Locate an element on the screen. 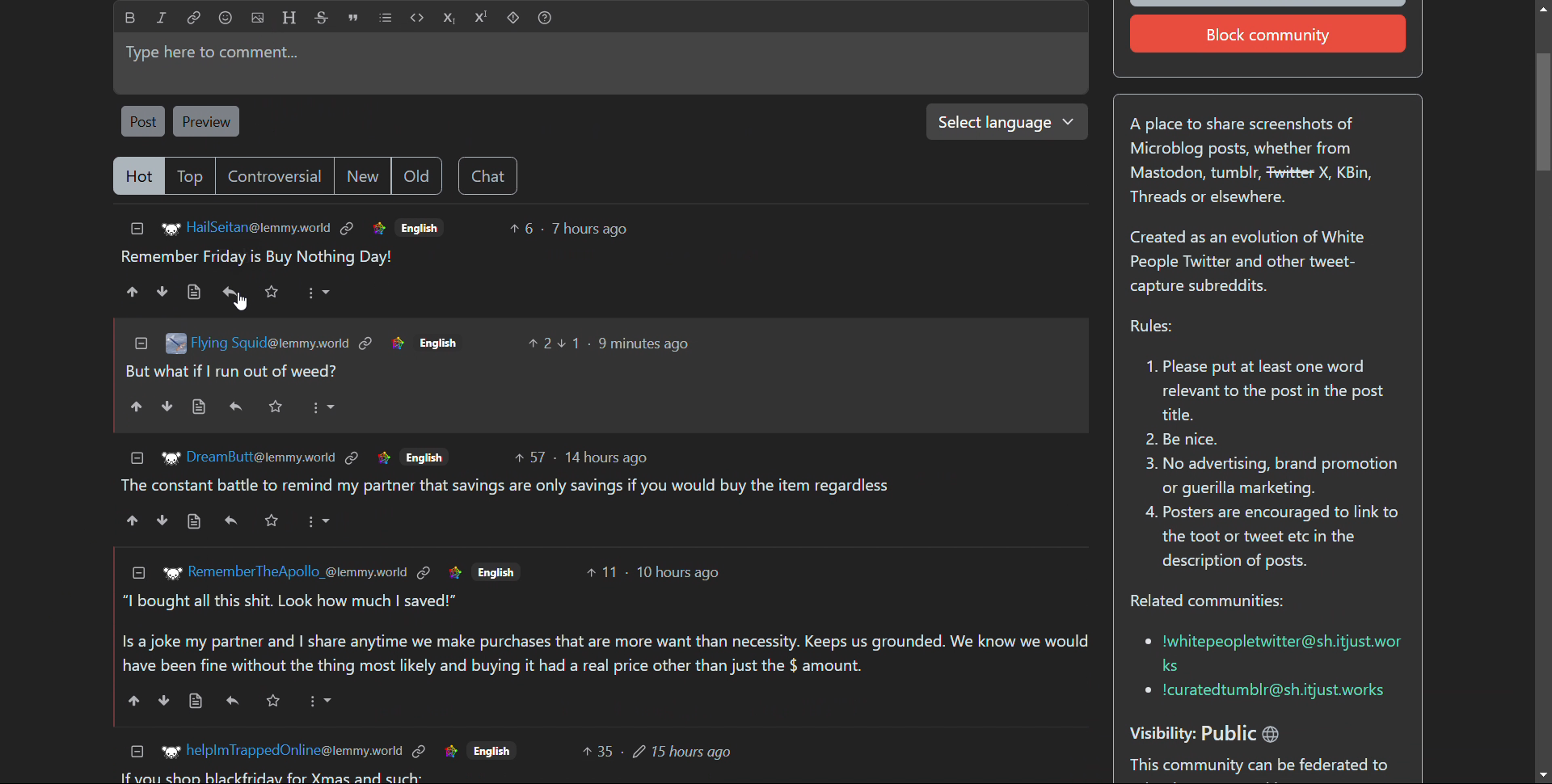  Favorite is located at coordinates (270, 520).